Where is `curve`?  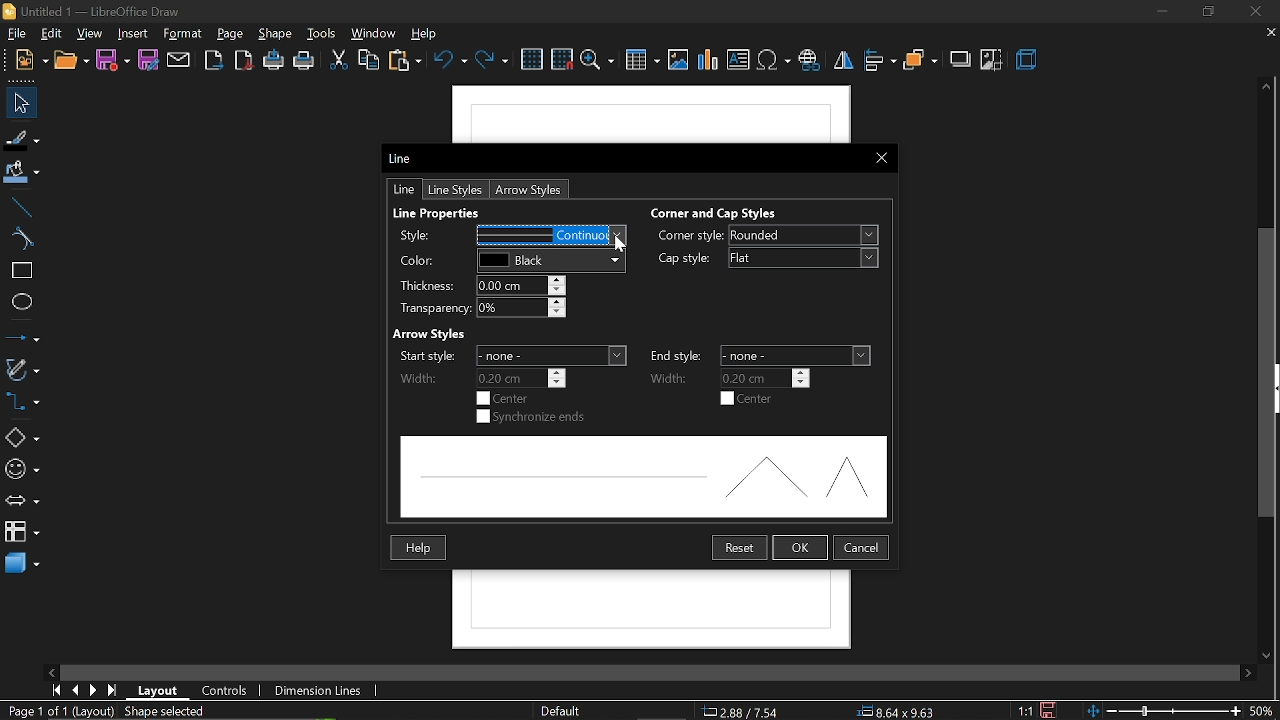 curve is located at coordinates (24, 239).